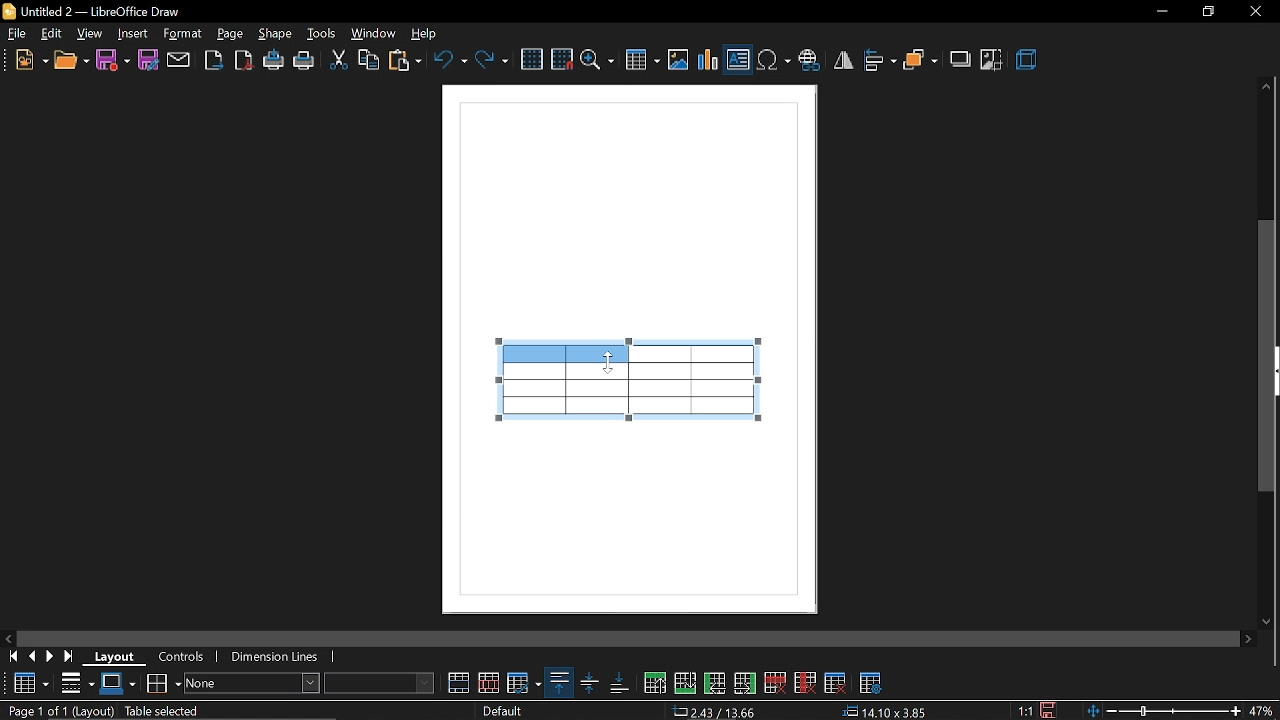  What do you see at coordinates (1024, 711) in the screenshot?
I see `1:1` at bounding box center [1024, 711].